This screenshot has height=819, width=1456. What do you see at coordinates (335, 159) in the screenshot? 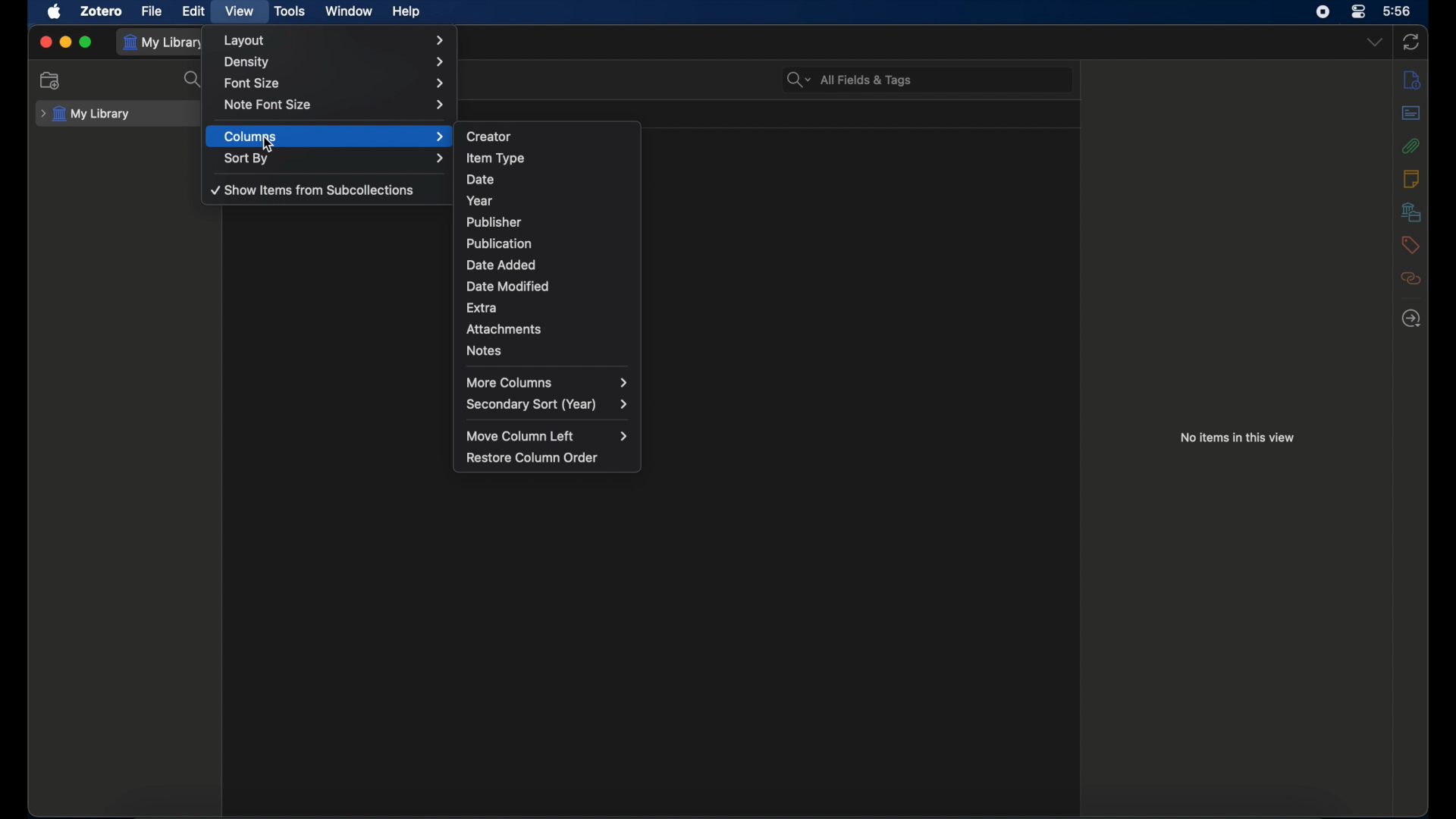
I see `sort by` at bounding box center [335, 159].